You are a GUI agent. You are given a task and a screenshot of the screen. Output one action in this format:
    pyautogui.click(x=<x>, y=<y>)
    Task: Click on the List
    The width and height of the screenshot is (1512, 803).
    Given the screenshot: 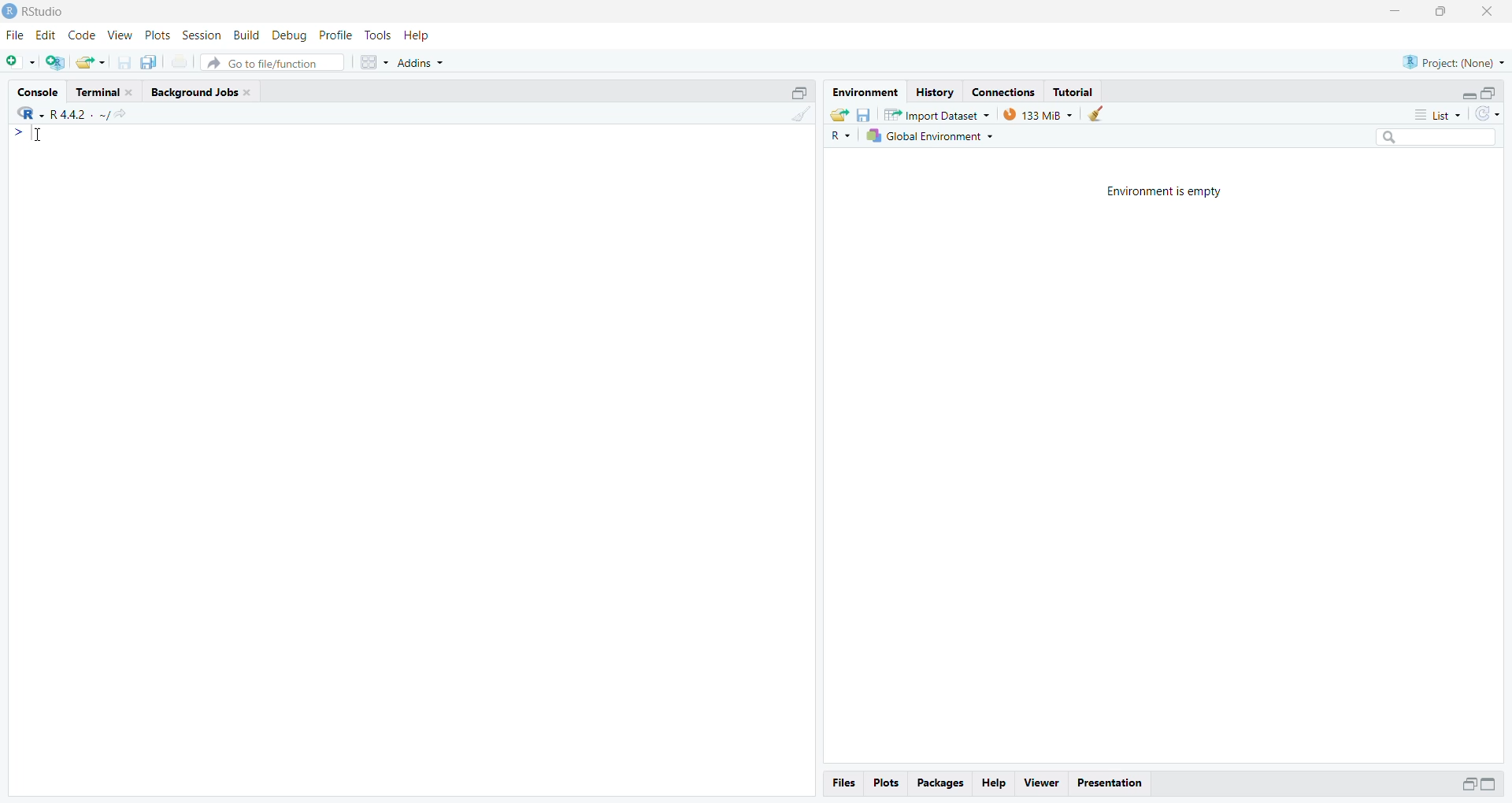 What is the action you would take?
    pyautogui.click(x=1437, y=116)
    